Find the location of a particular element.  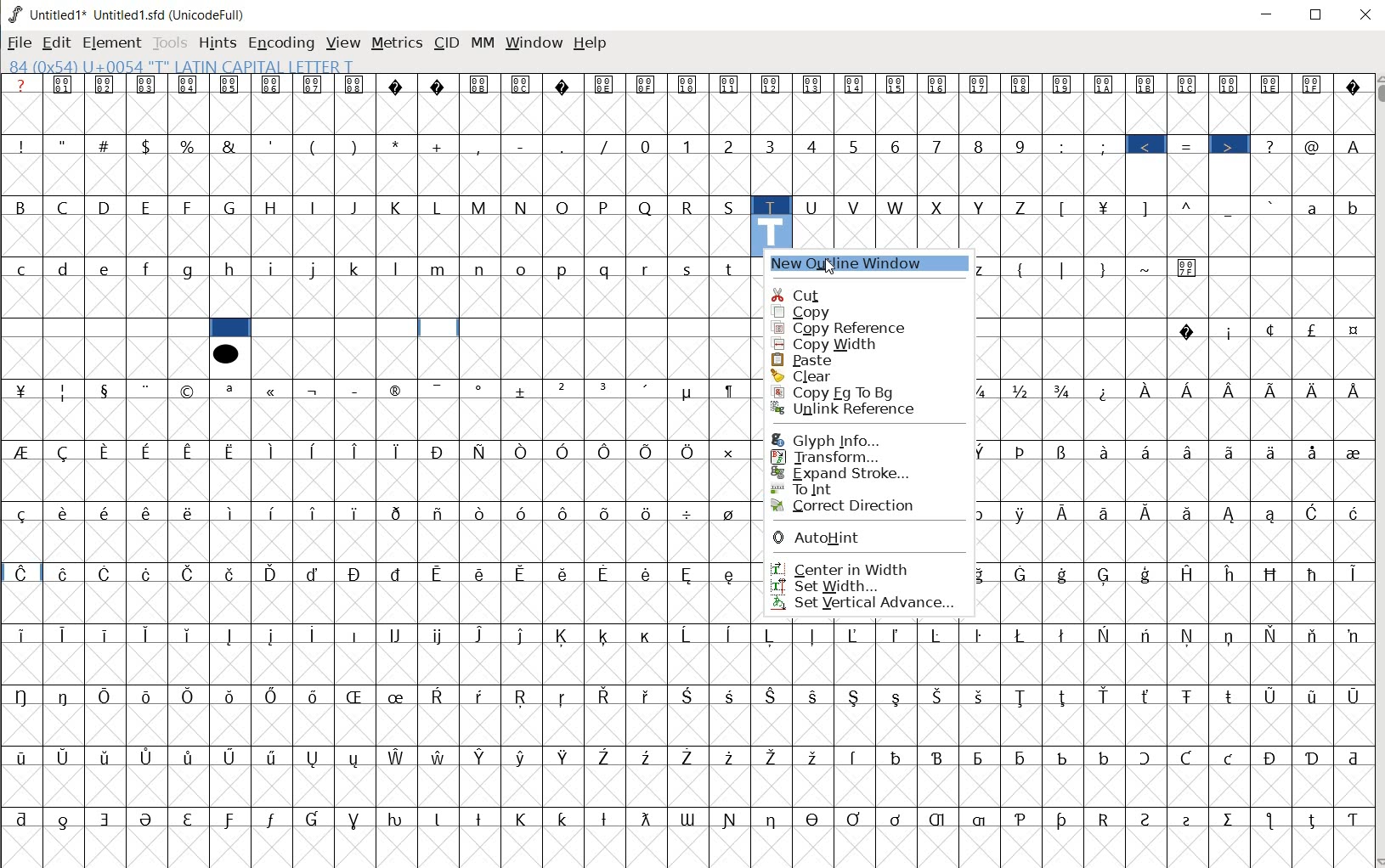

Symbol is located at coordinates (1310, 695).